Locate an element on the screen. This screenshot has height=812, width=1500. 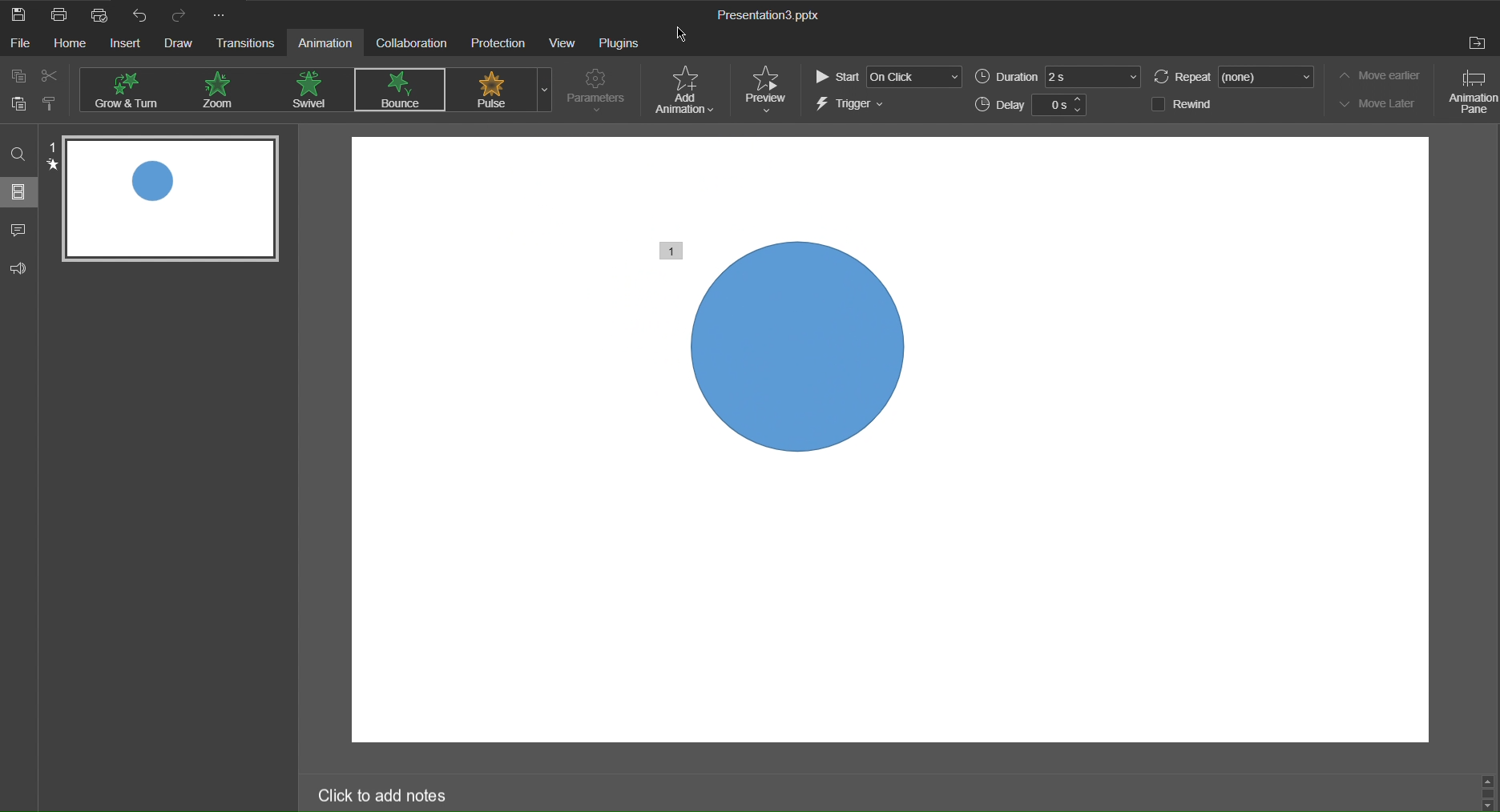
More is located at coordinates (222, 16).